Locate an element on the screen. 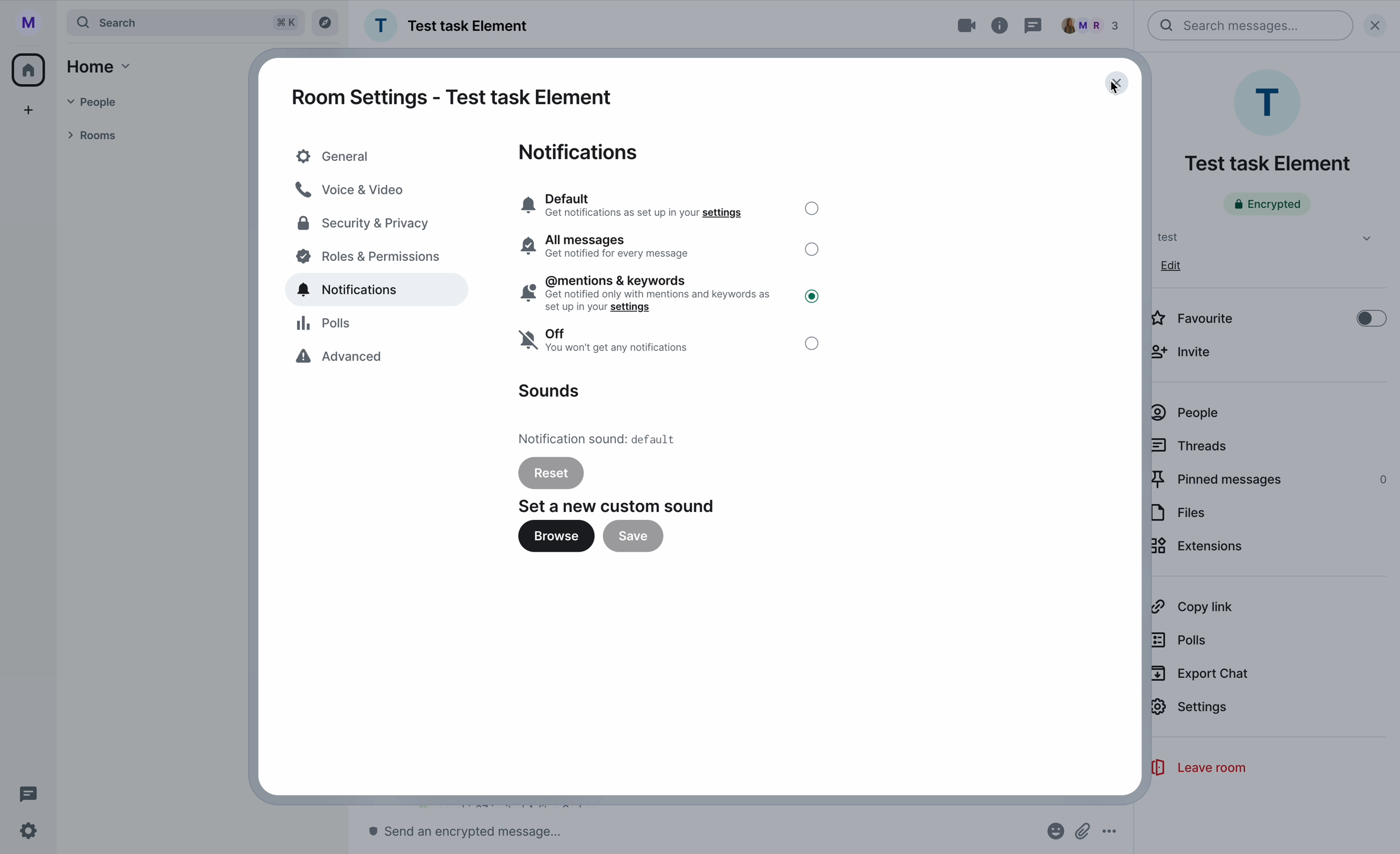 The image size is (1400, 854). polls is located at coordinates (1182, 639).